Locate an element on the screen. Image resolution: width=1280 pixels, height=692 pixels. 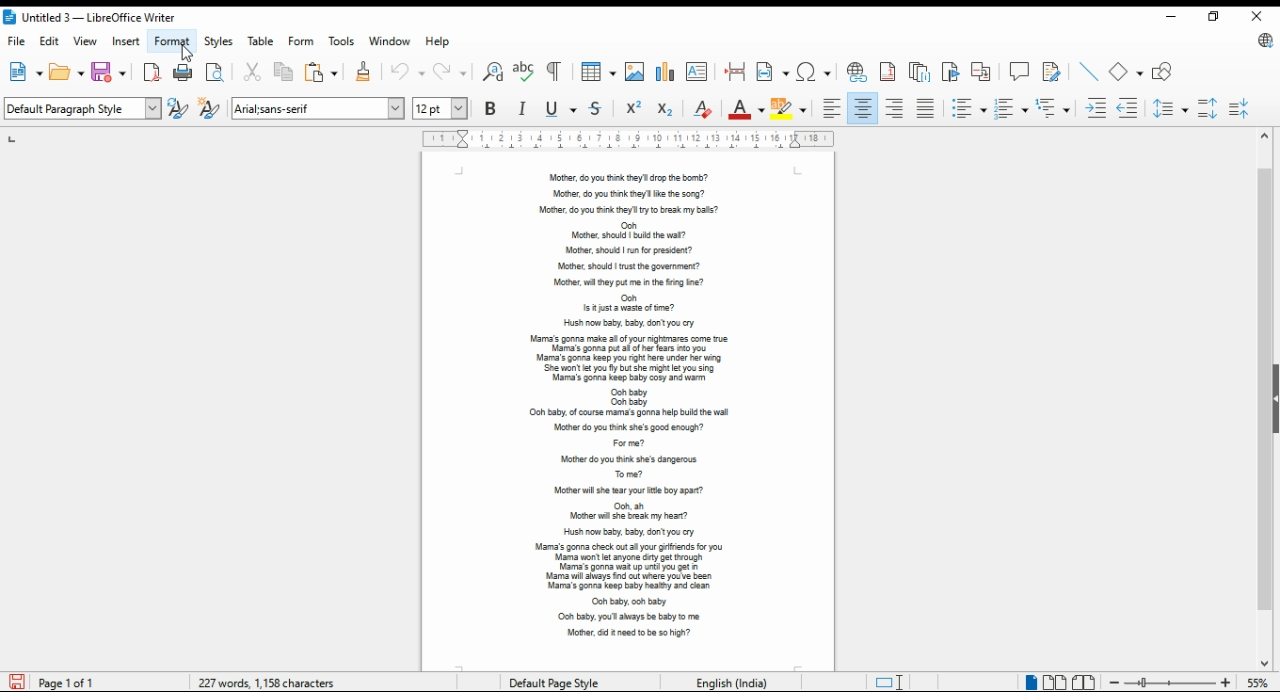
book view is located at coordinates (1084, 682).